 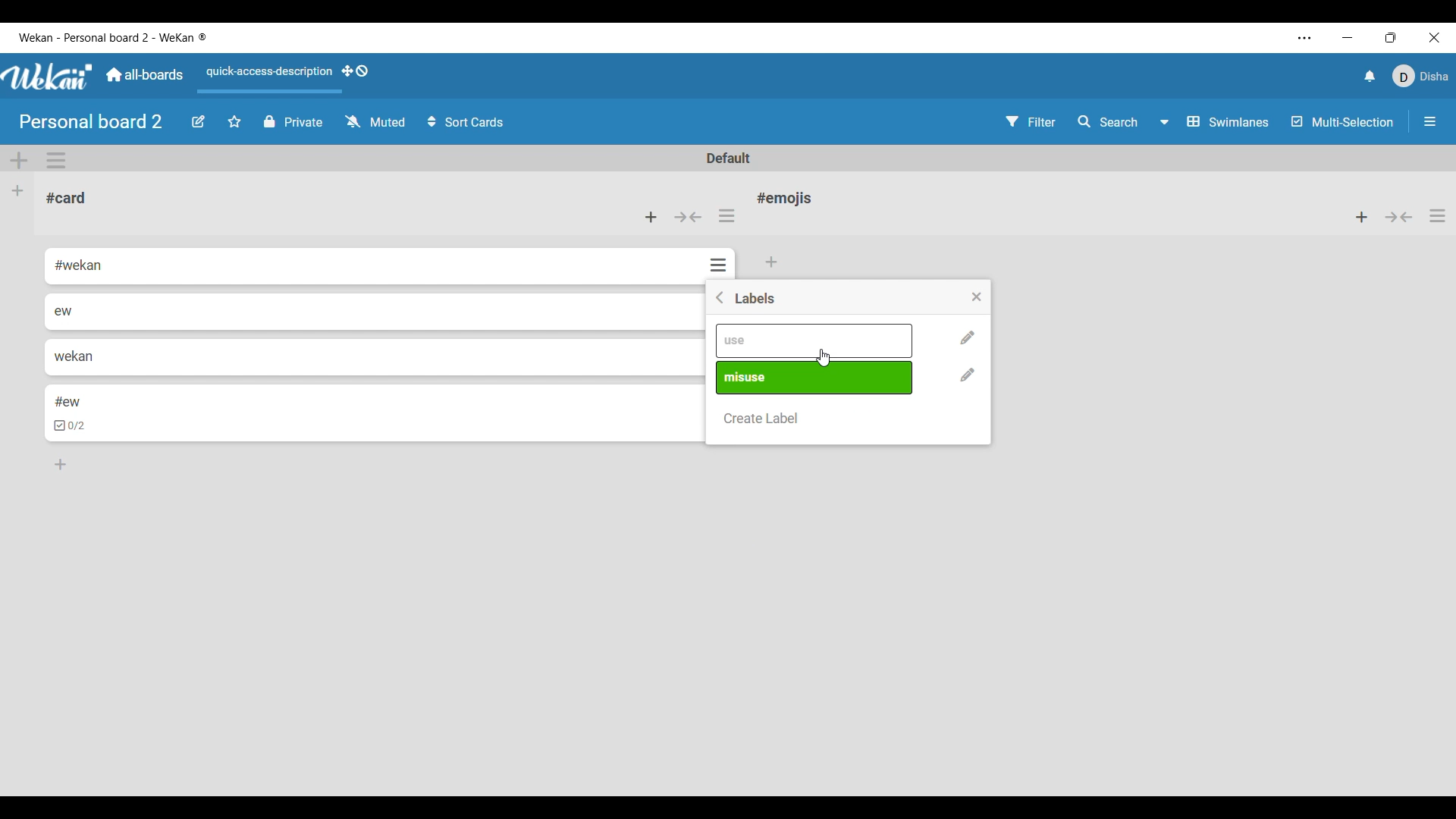 What do you see at coordinates (762, 419) in the screenshot?
I see `Create new label` at bounding box center [762, 419].